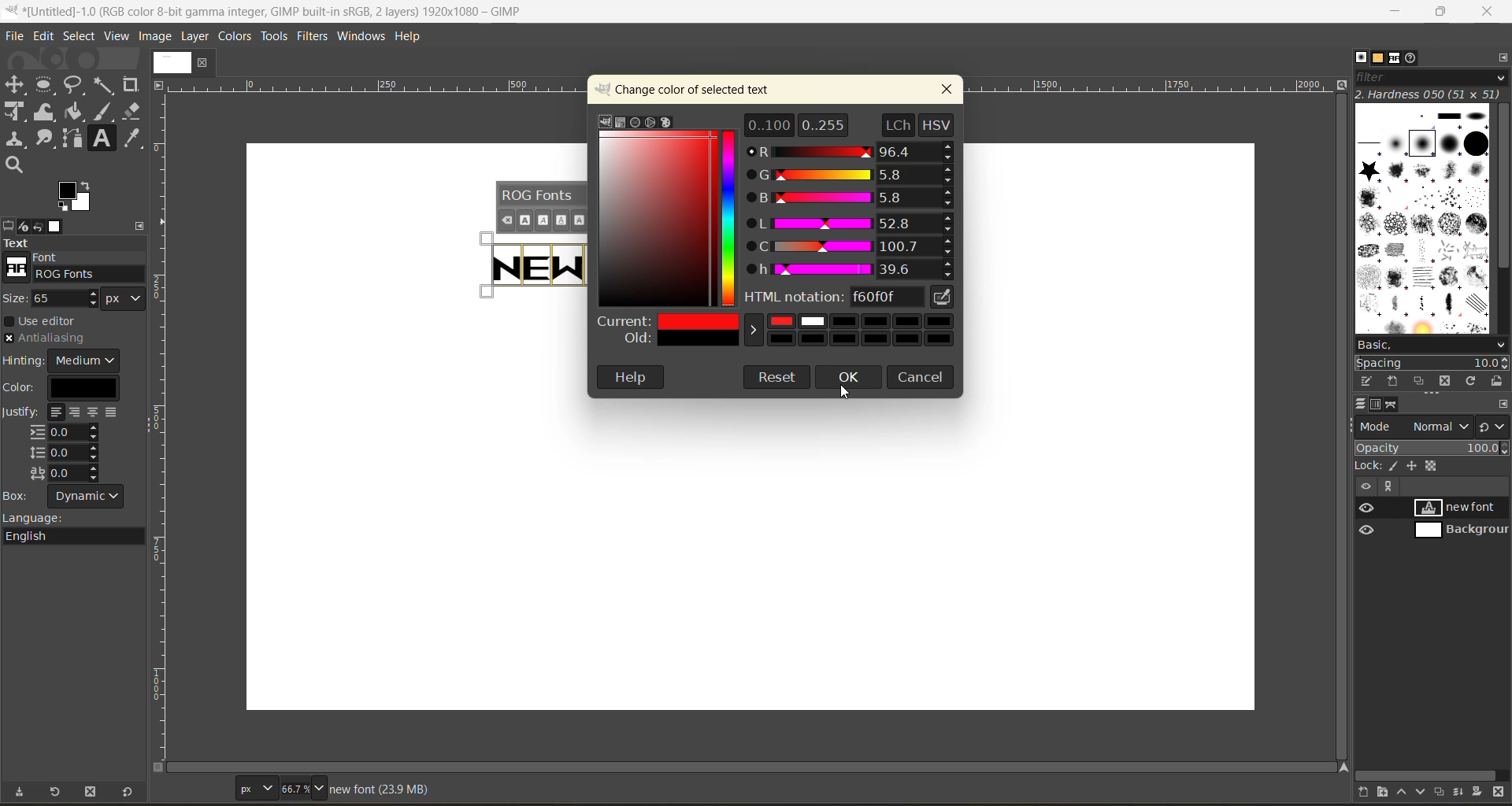 Image resolution: width=1512 pixels, height=806 pixels. I want to click on restore tool preset, so click(57, 792).